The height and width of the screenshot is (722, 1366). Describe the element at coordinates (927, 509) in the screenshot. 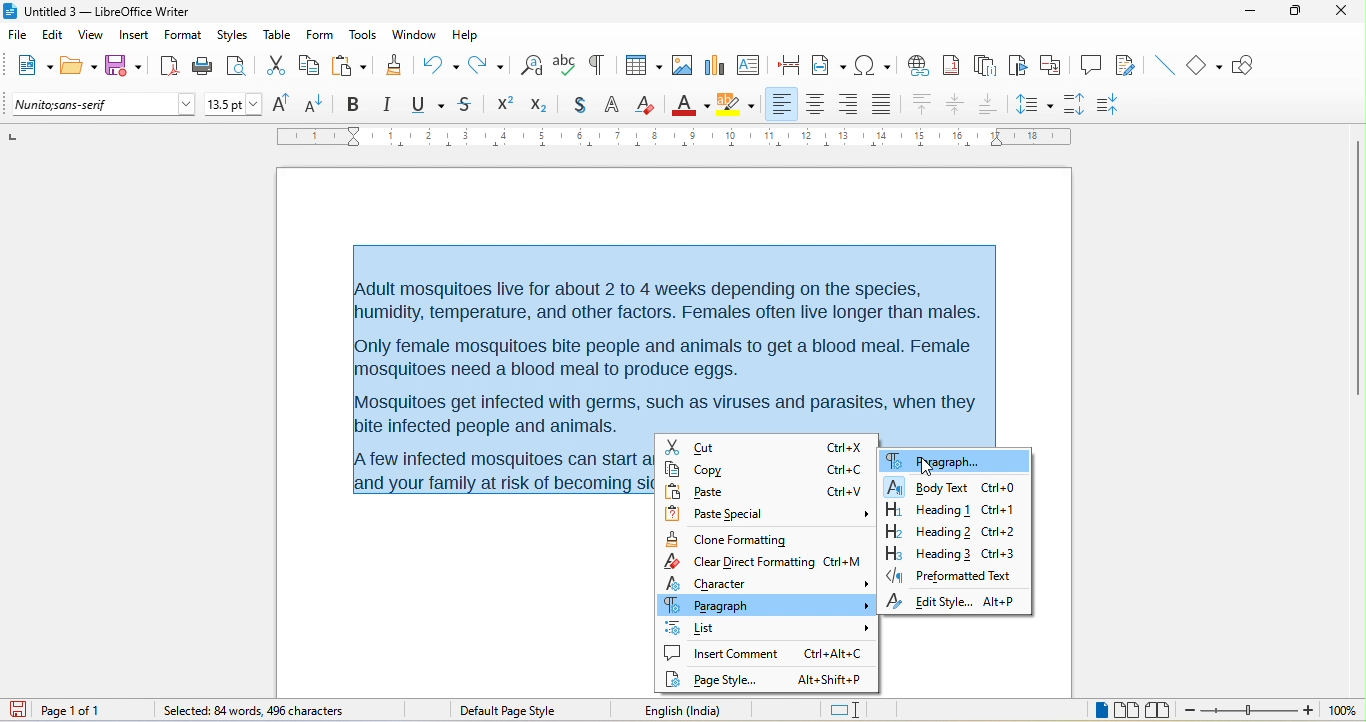

I see `heading1` at that location.